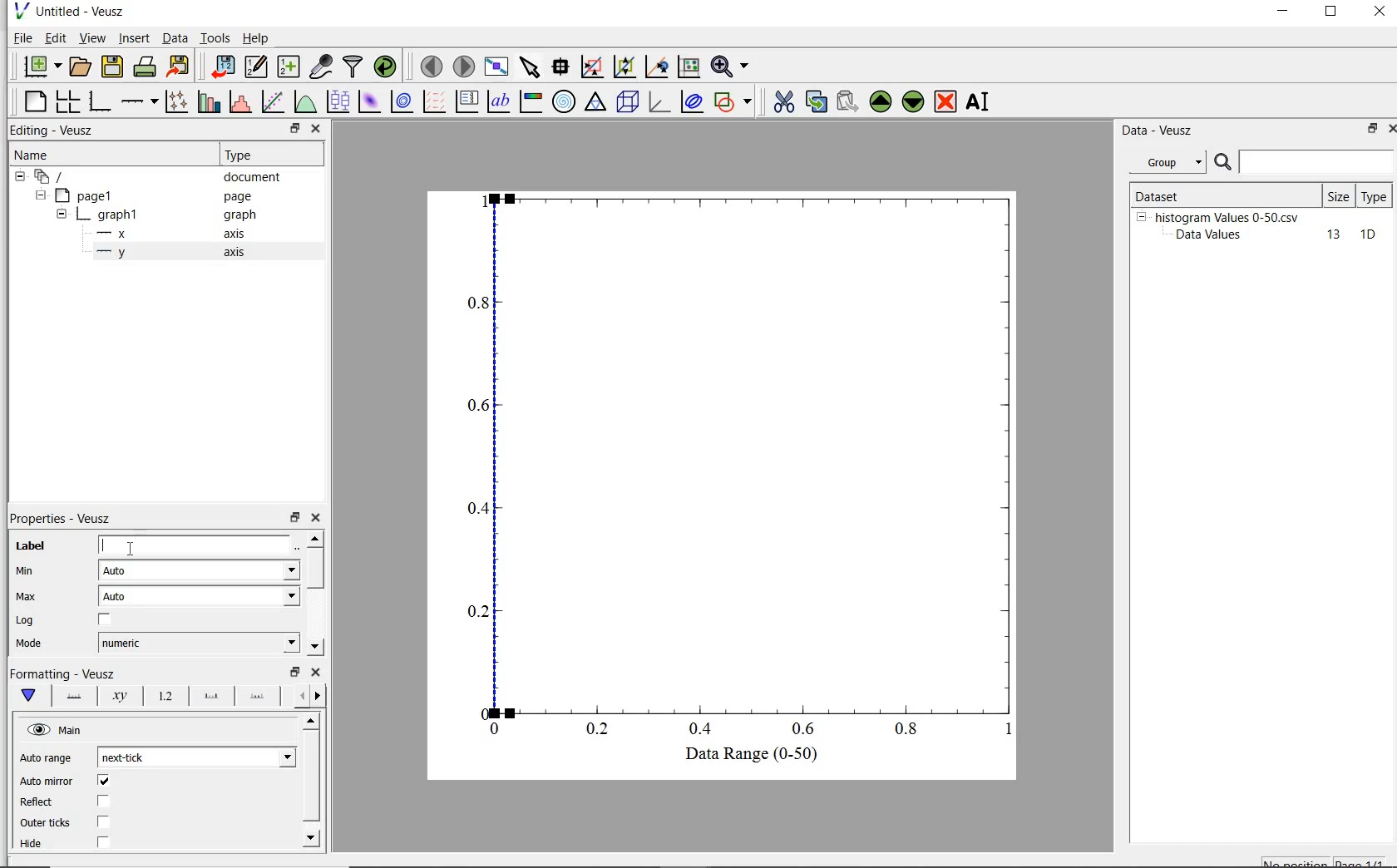 This screenshot has width=1397, height=868. I want to click on plot covariance ellipse, so click(692, 104).